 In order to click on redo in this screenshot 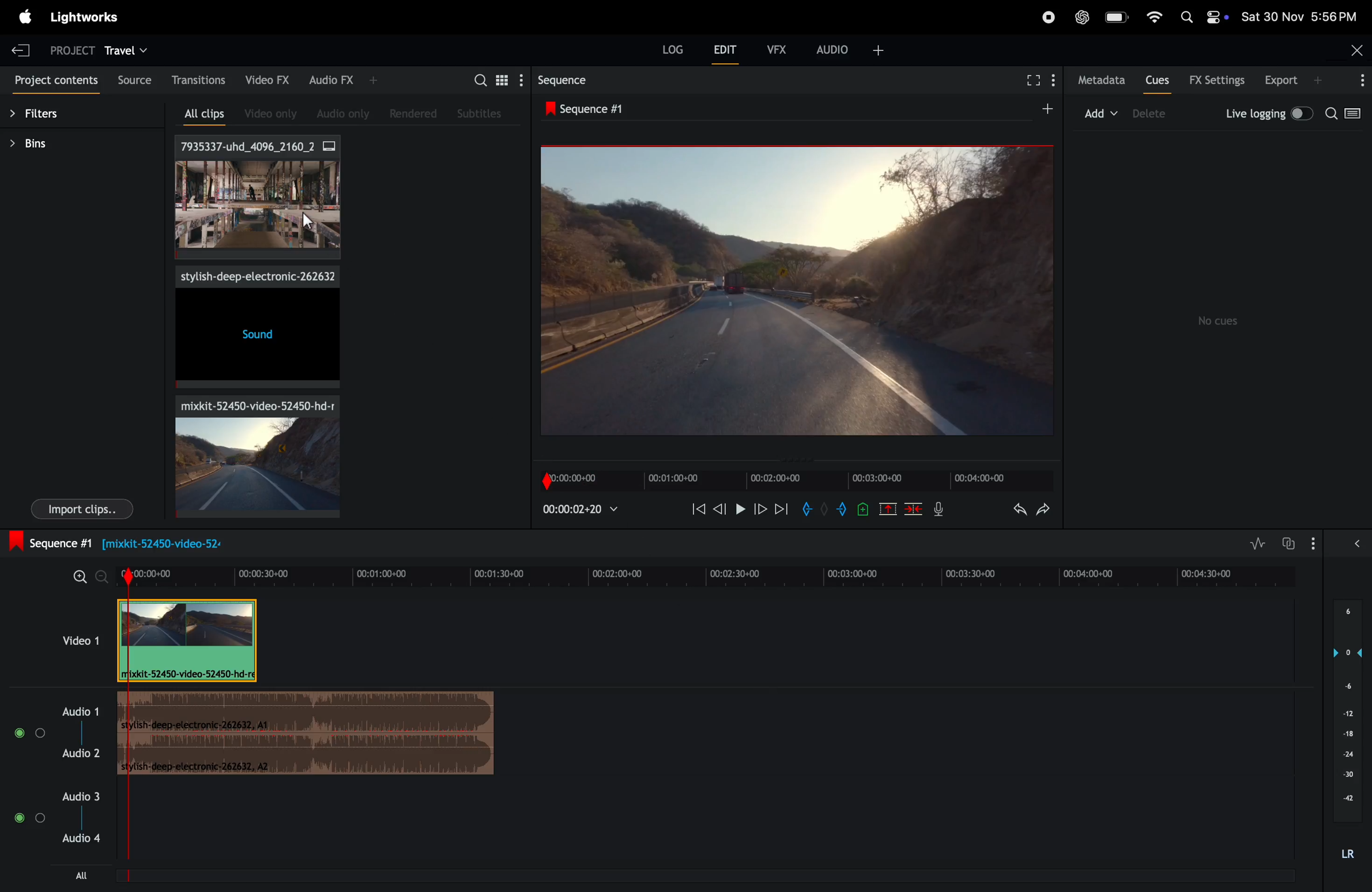, I will do `click(1043, 511)`.